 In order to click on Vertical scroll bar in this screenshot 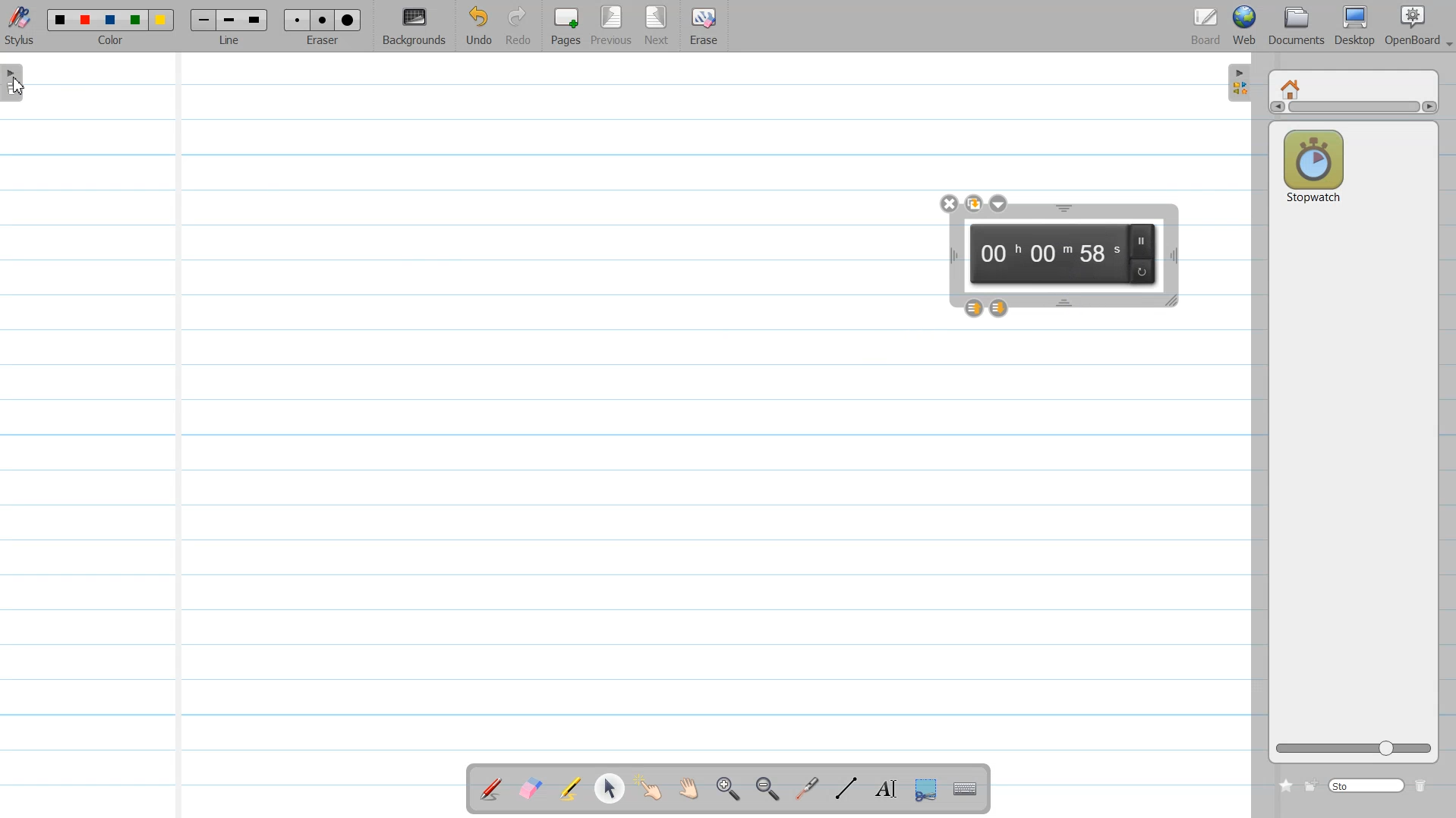, I will do `click(1353, 109)`.